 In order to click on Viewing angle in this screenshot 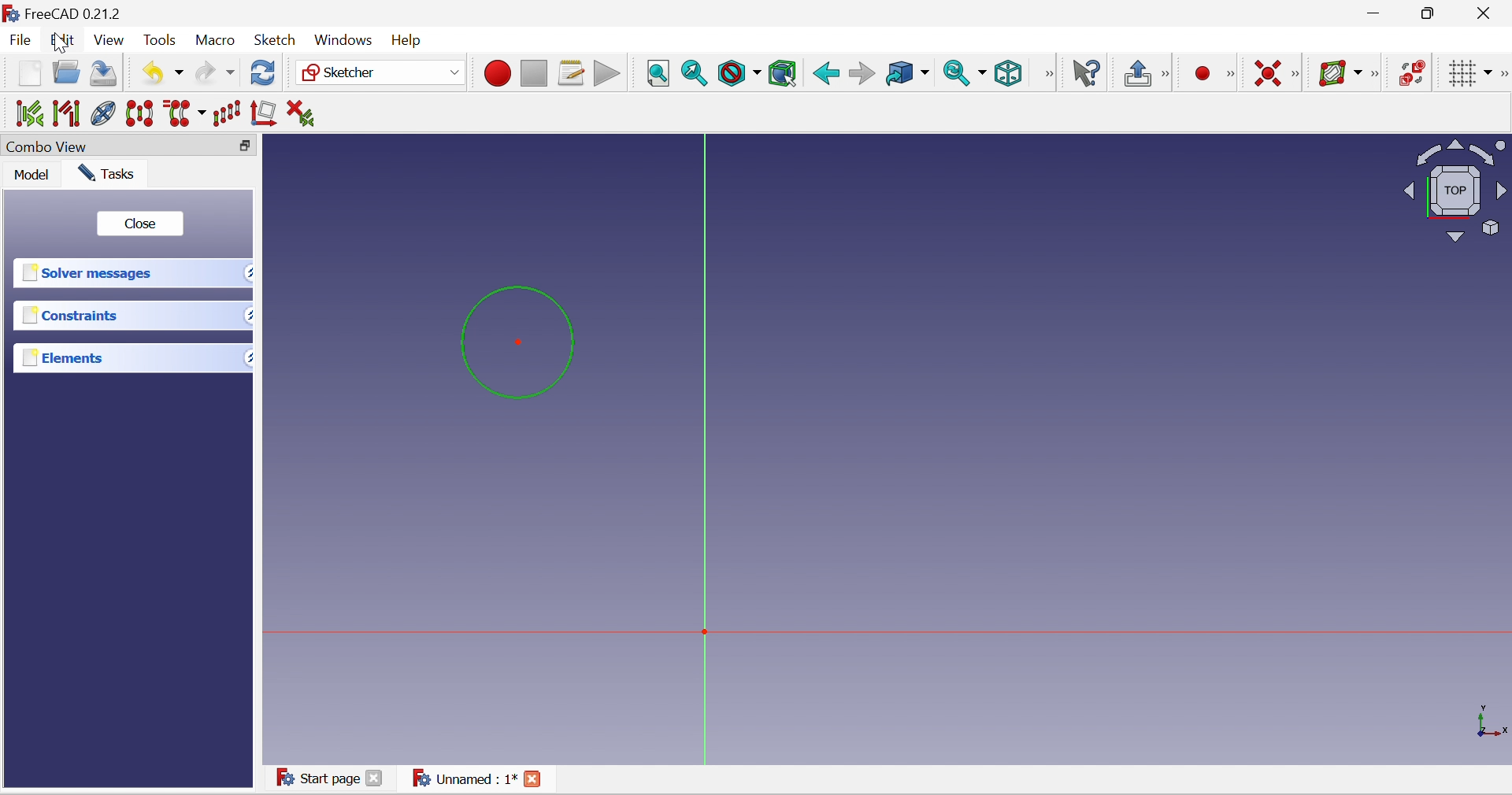, I will do `click(1454, 194)`.